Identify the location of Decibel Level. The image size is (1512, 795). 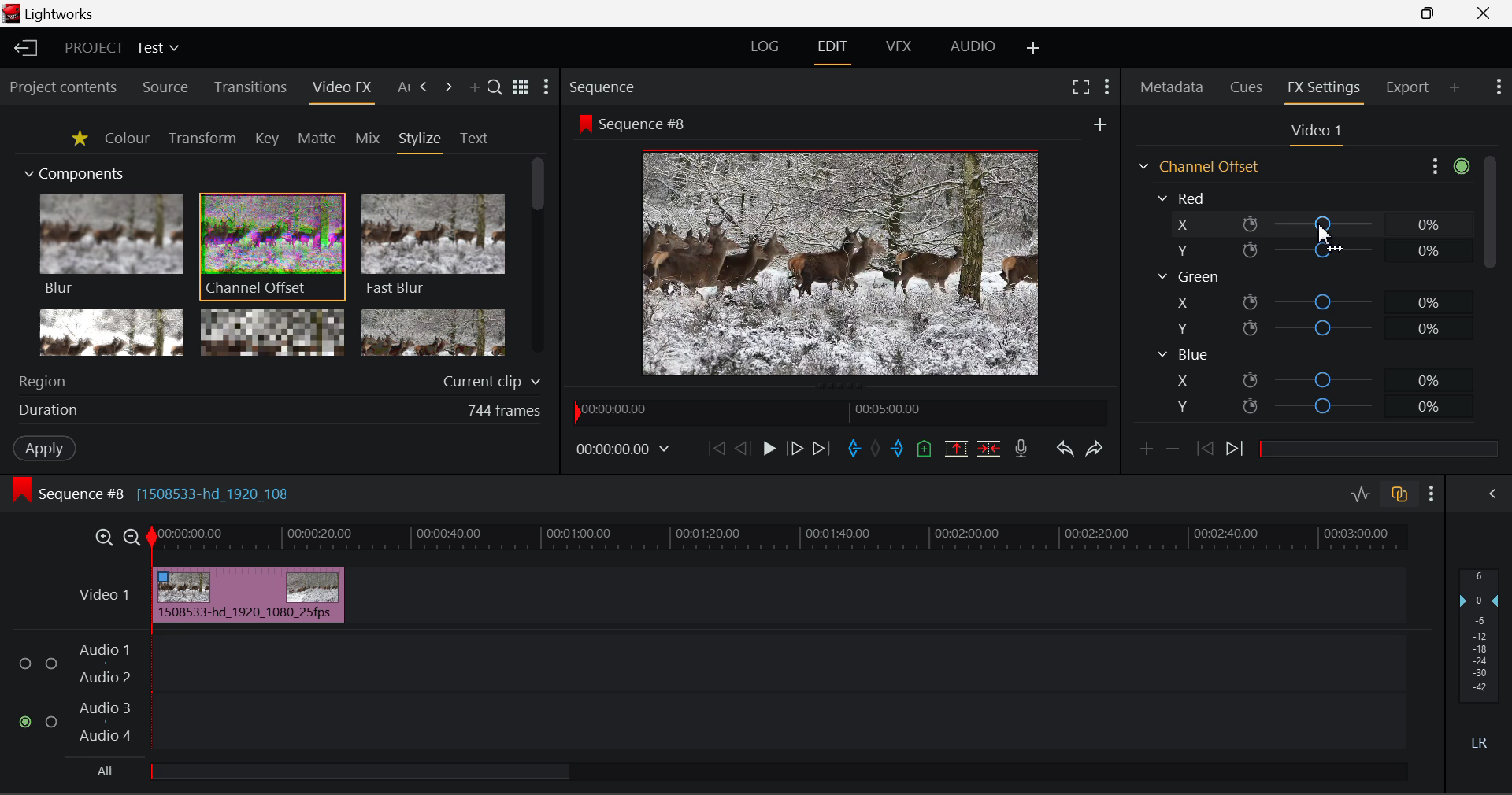
(1480, 657).